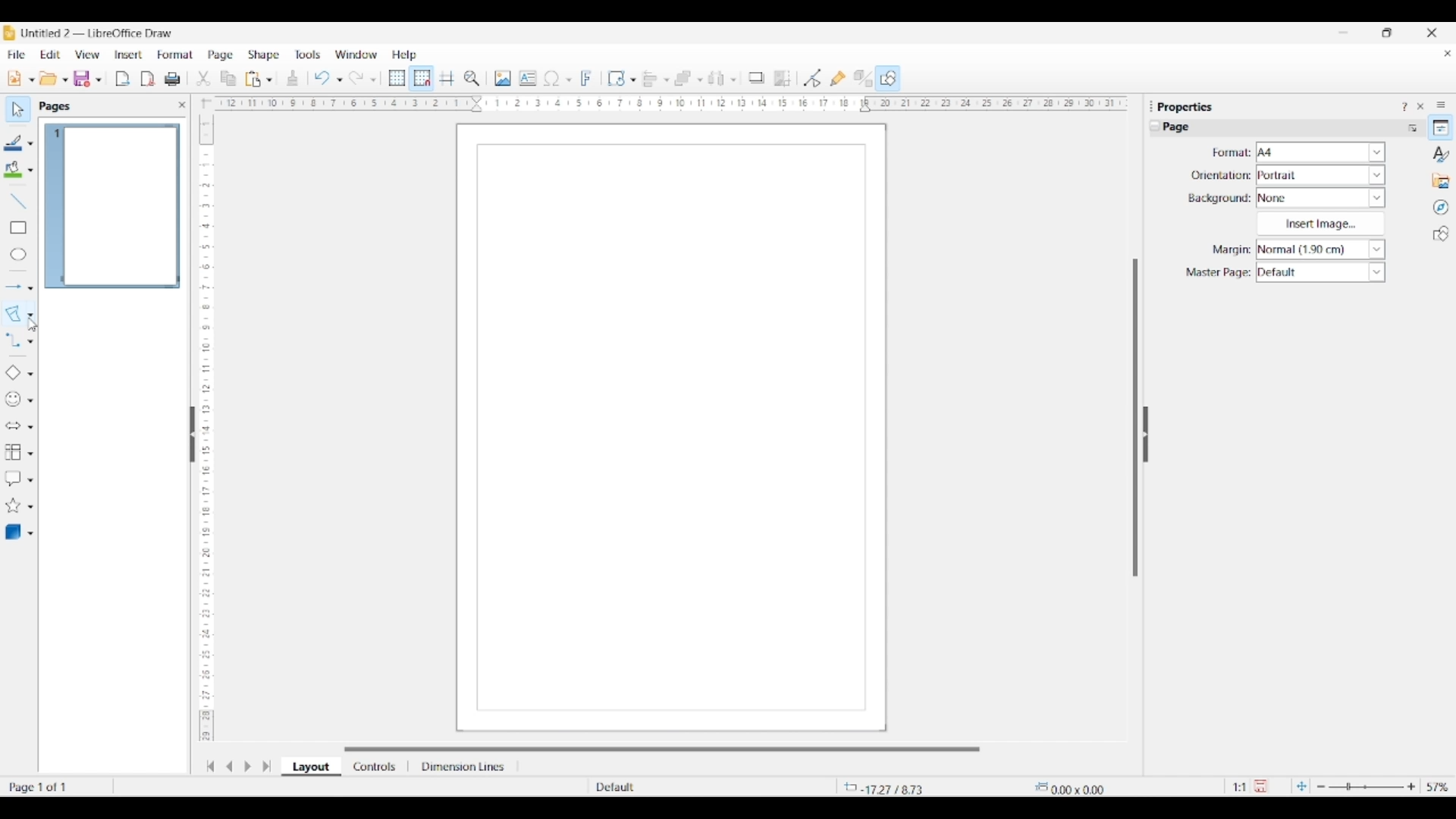 This screenshot has height=819, width=1456. What do you see at coordinates (888, 77) in the screenshot?
I see `Show draw functions` at bounding box center [888, 77].